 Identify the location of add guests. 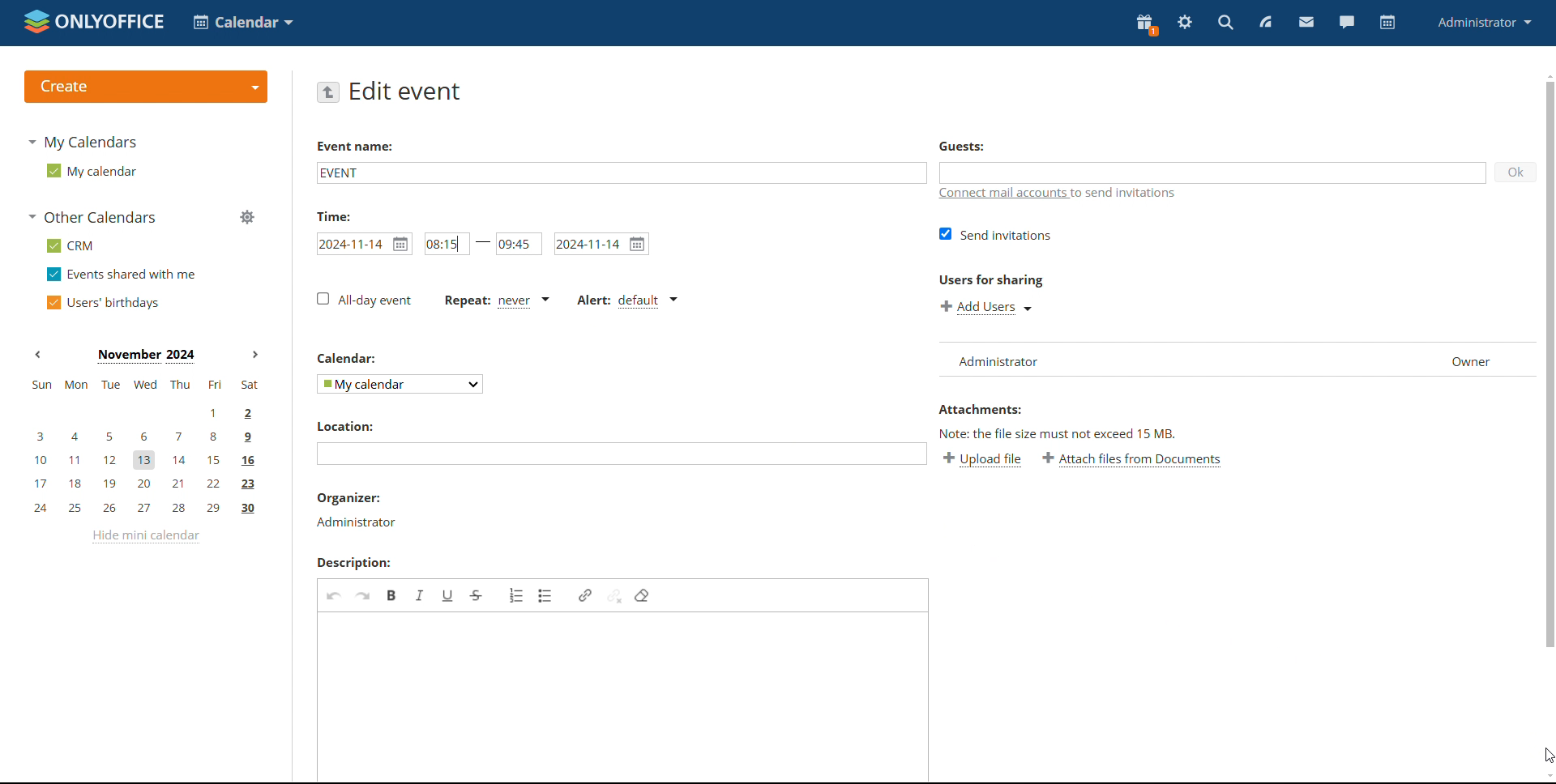
(1213, 173).